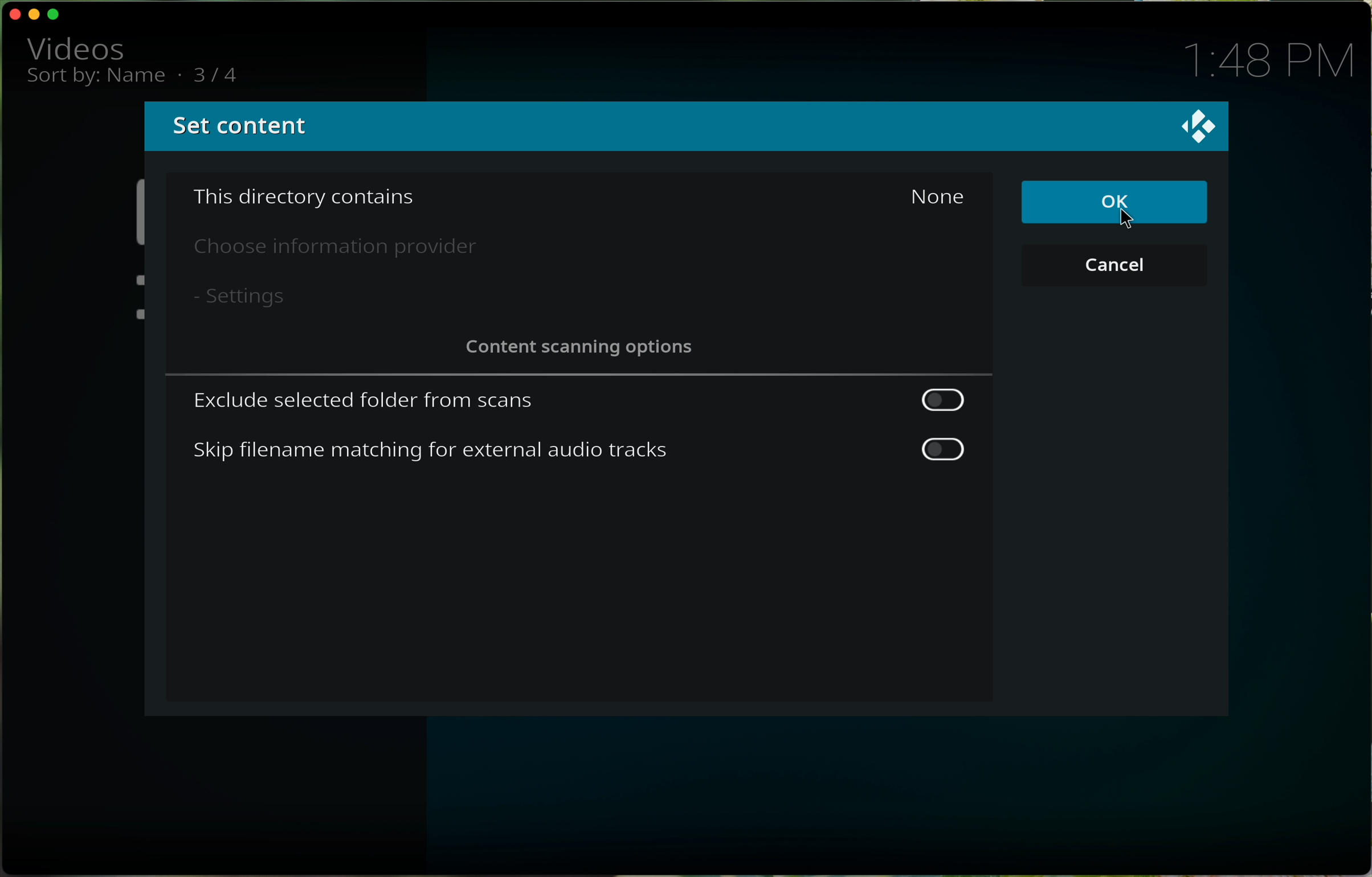 The width and height of the screenshot is (1372, 877). I want to click on logo, so click(1200, 127).